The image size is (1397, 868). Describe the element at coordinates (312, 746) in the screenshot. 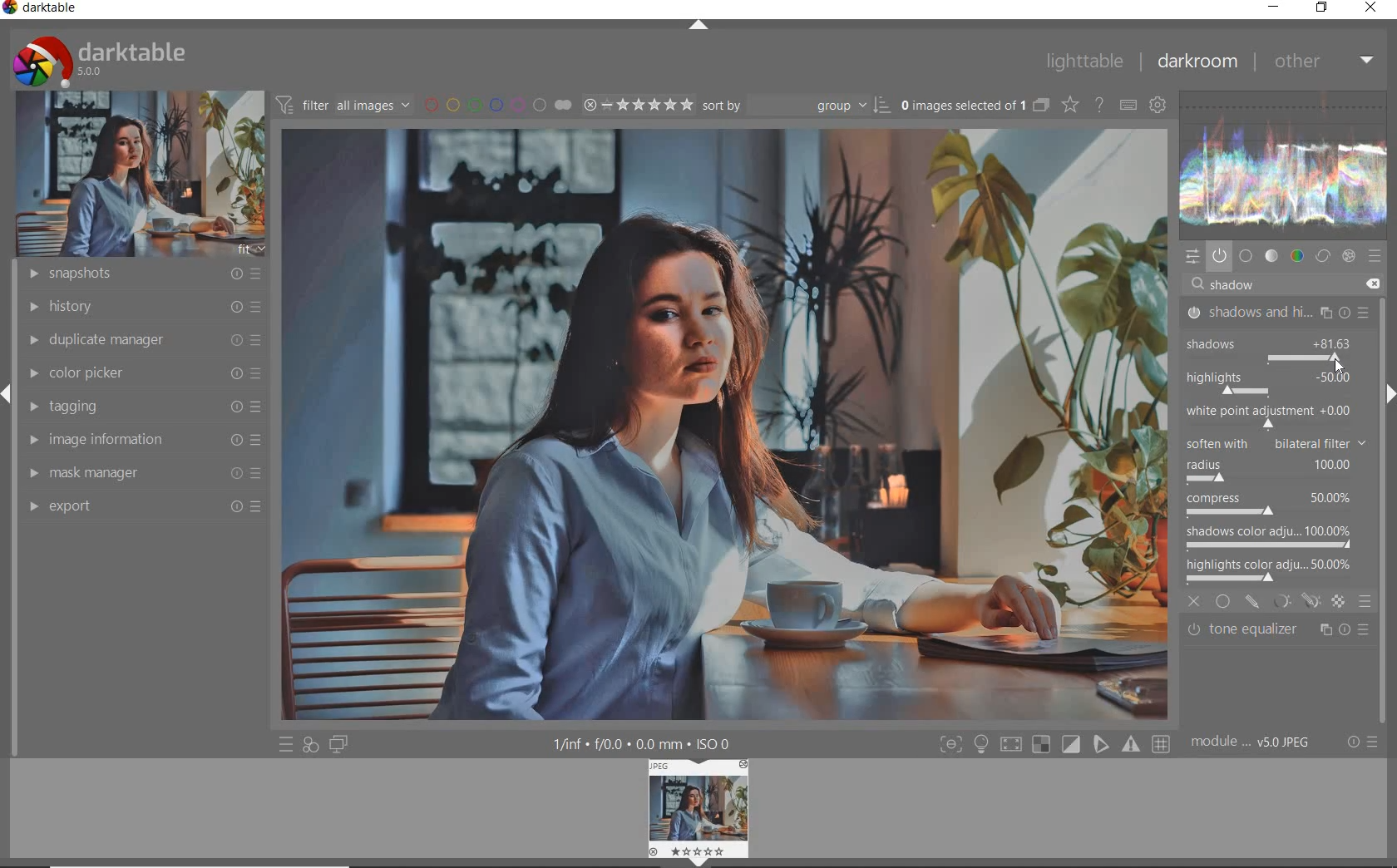

I see `quick access for applying any of your styles` at that location.